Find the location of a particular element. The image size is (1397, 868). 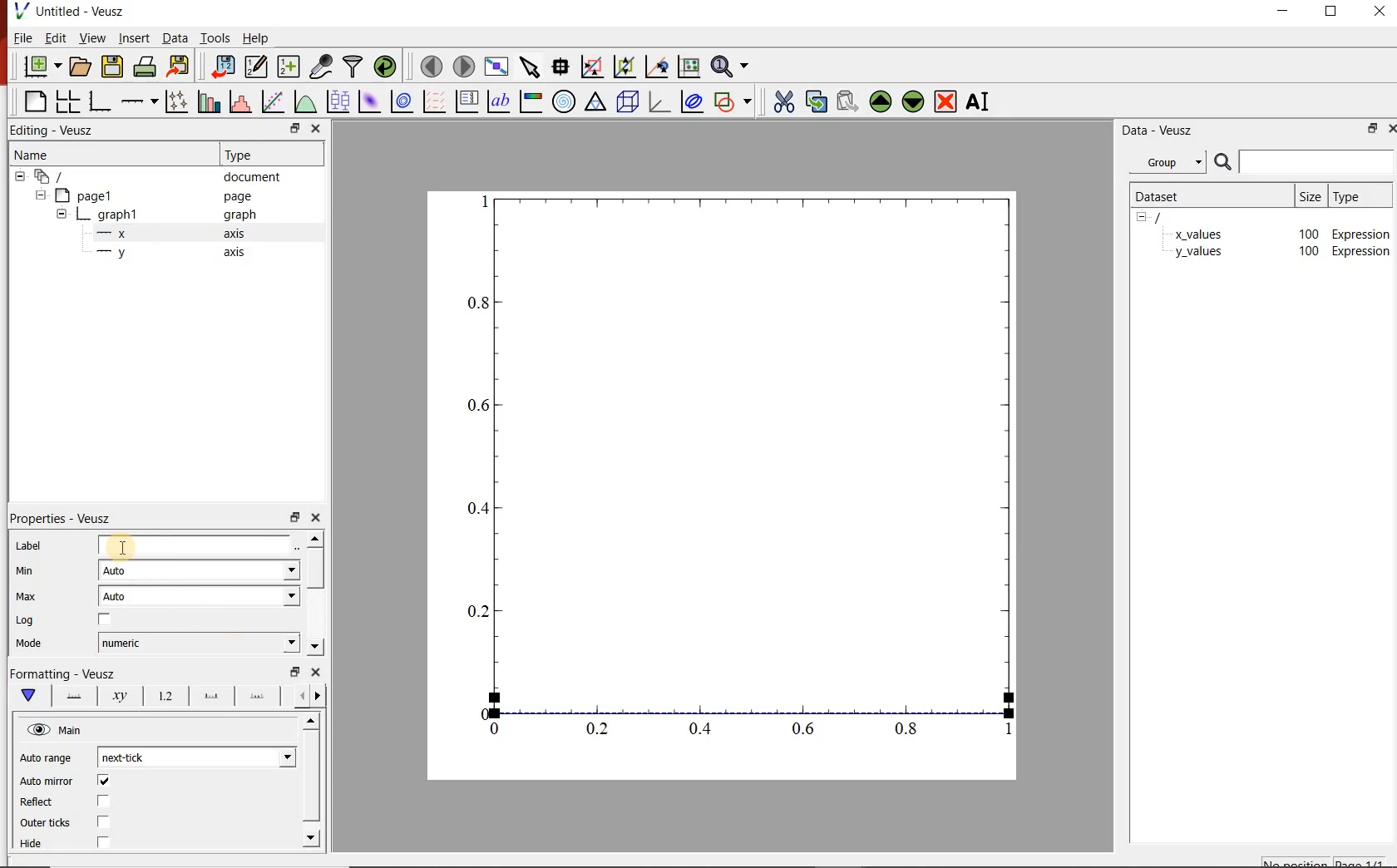

plot bar charts is located at coordinates (209, 101).